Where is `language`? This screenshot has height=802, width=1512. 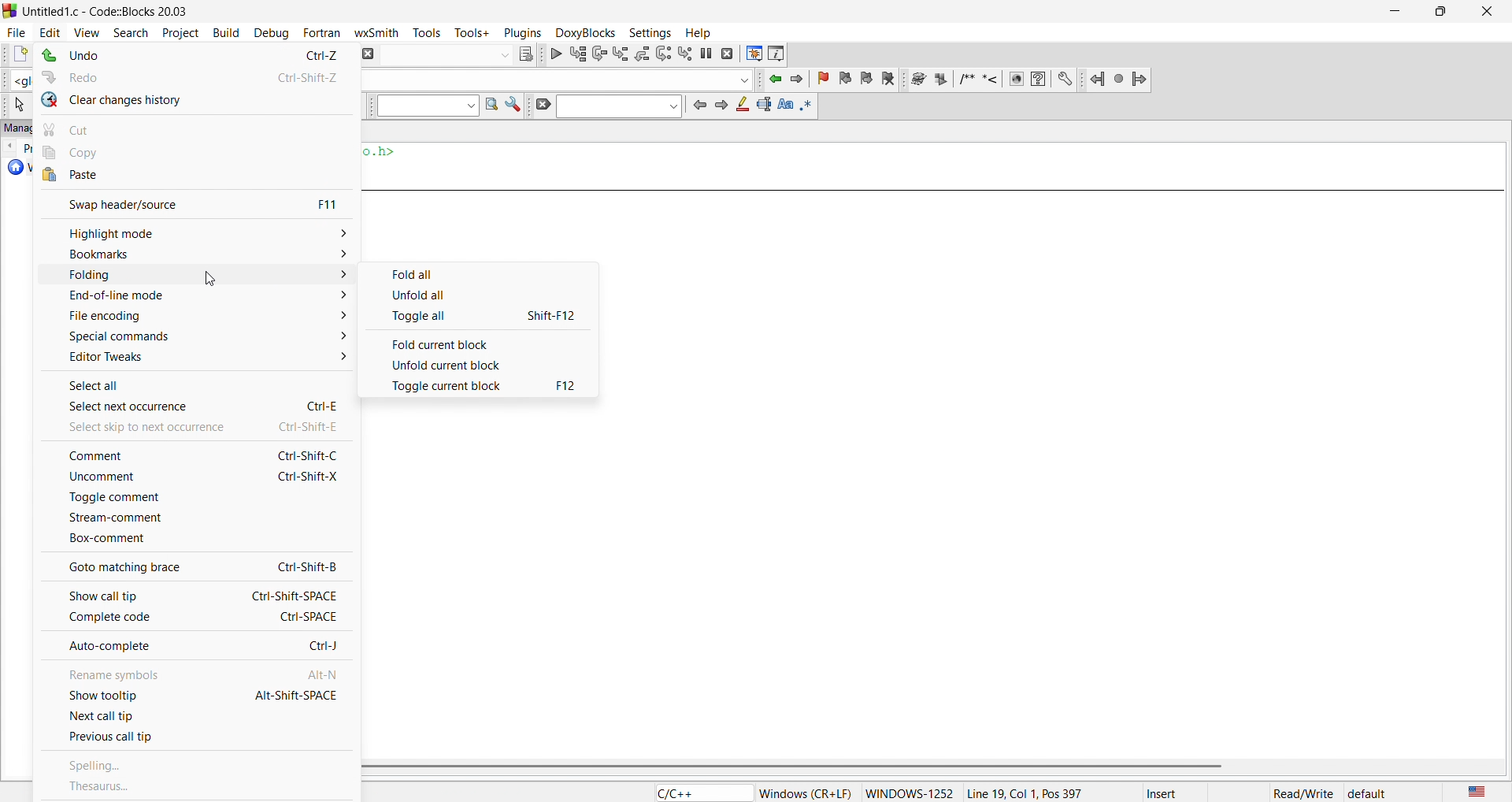 language is located at coordinates (699, 793).